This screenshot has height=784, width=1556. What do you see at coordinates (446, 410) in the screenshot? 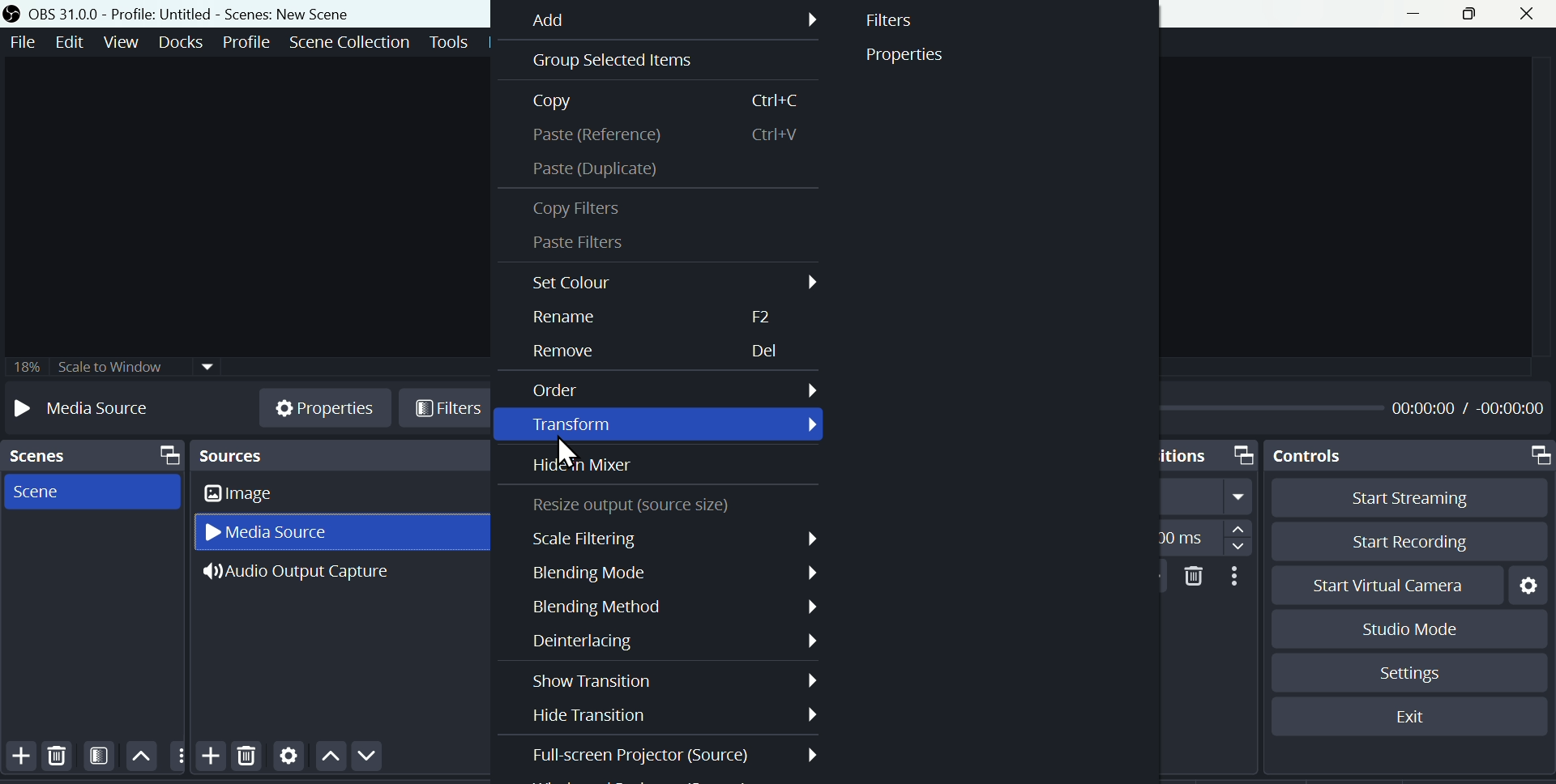
I see `filters` at bounding box center [446, 410].